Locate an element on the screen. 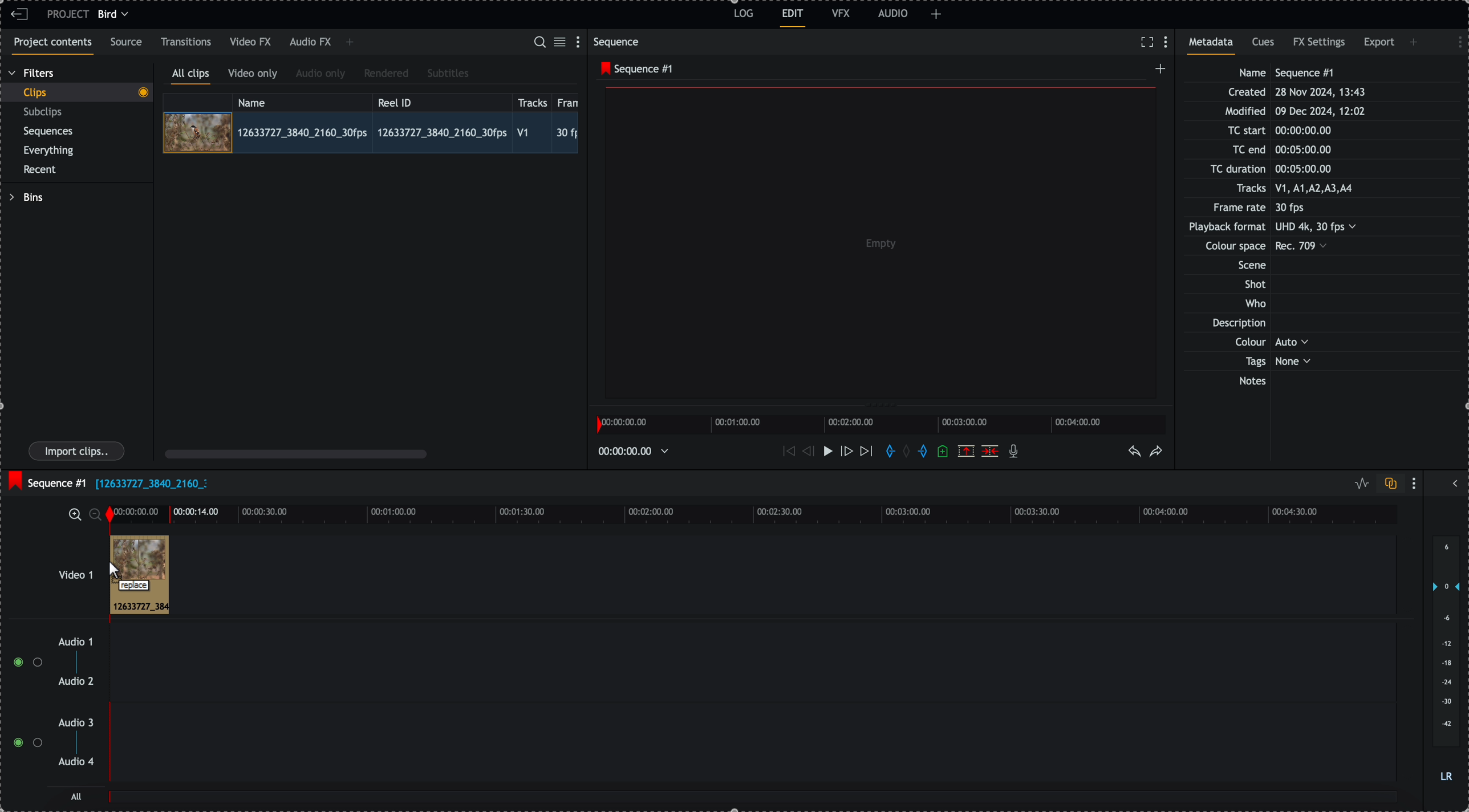 This screenshot has height=812, width=1469. AUDIO is located at coordinates (893, 13).